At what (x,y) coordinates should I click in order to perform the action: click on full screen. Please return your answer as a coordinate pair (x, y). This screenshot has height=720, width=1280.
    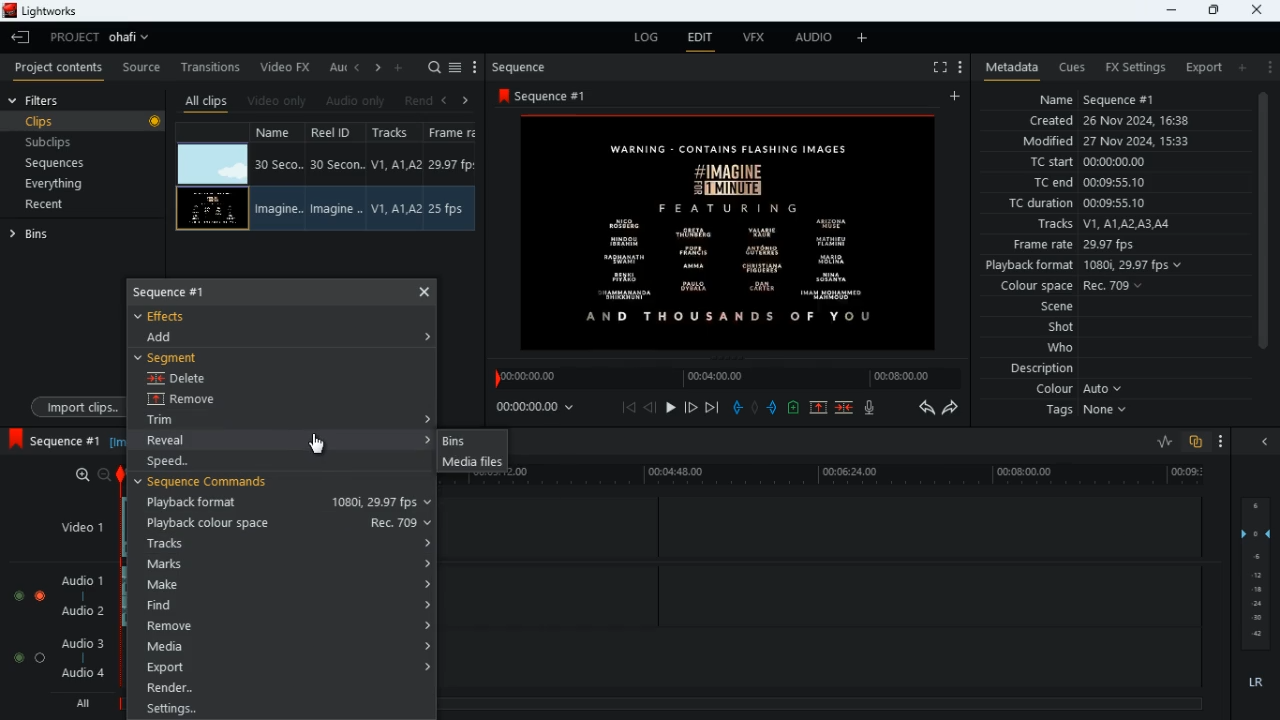
    Looking at the image, I should click on (932, 68).